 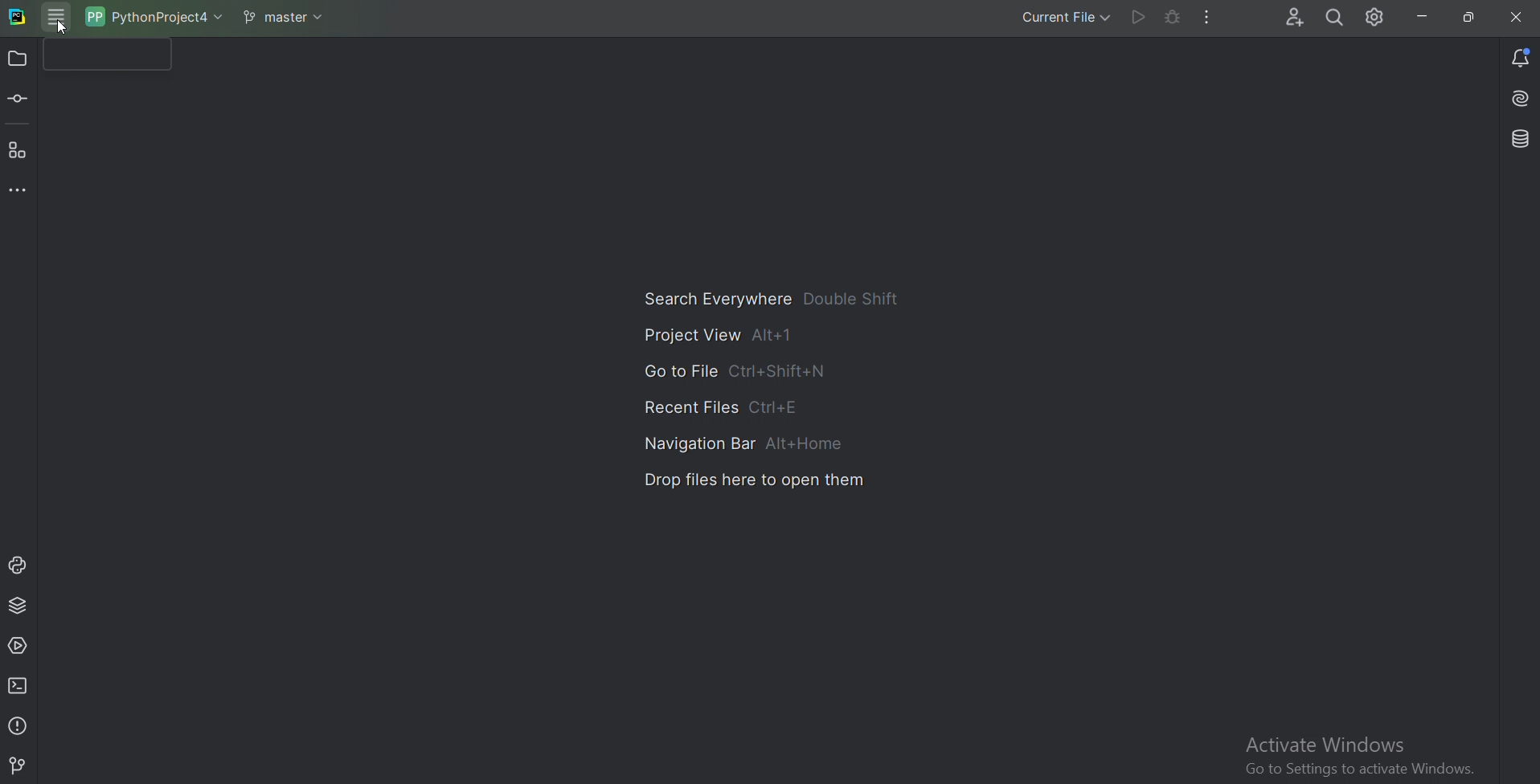 I want to click on Minimize, so click(x=1424, y=16).